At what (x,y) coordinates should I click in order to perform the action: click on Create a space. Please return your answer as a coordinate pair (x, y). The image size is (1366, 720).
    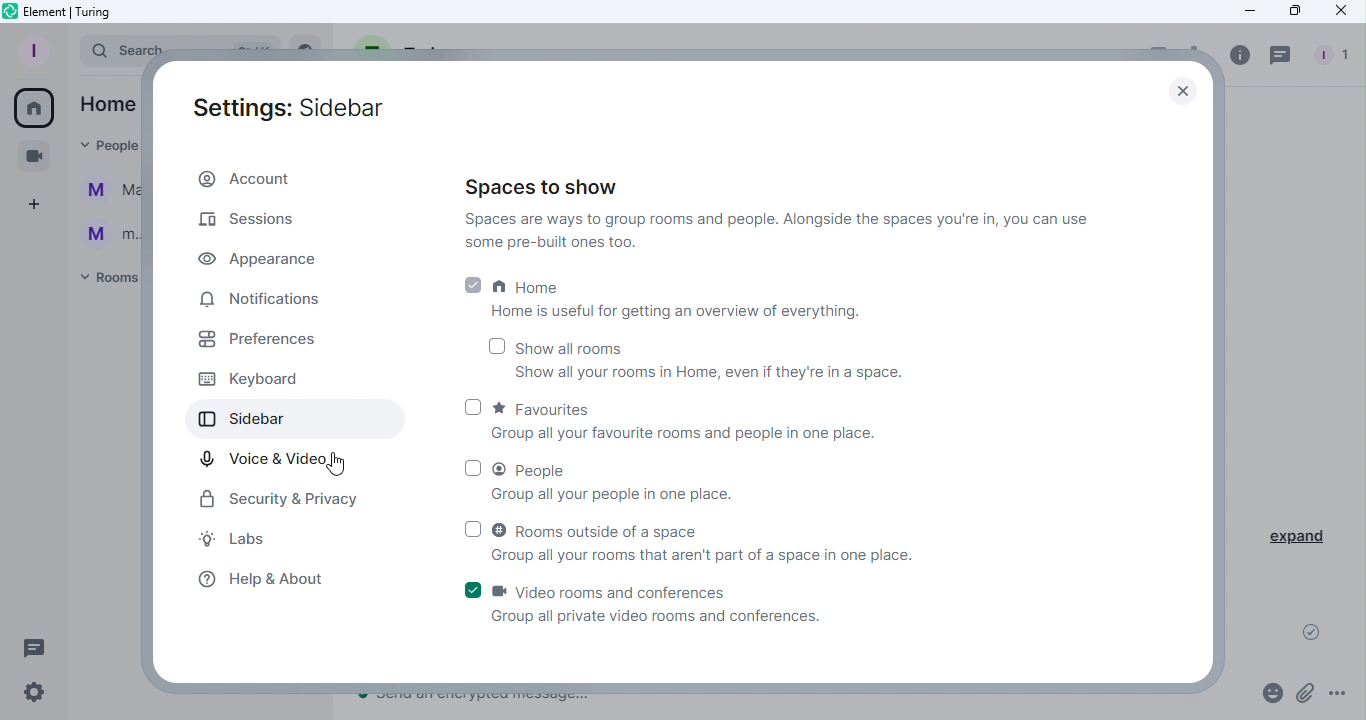
    Looking at the image, I should click on (36, 202).